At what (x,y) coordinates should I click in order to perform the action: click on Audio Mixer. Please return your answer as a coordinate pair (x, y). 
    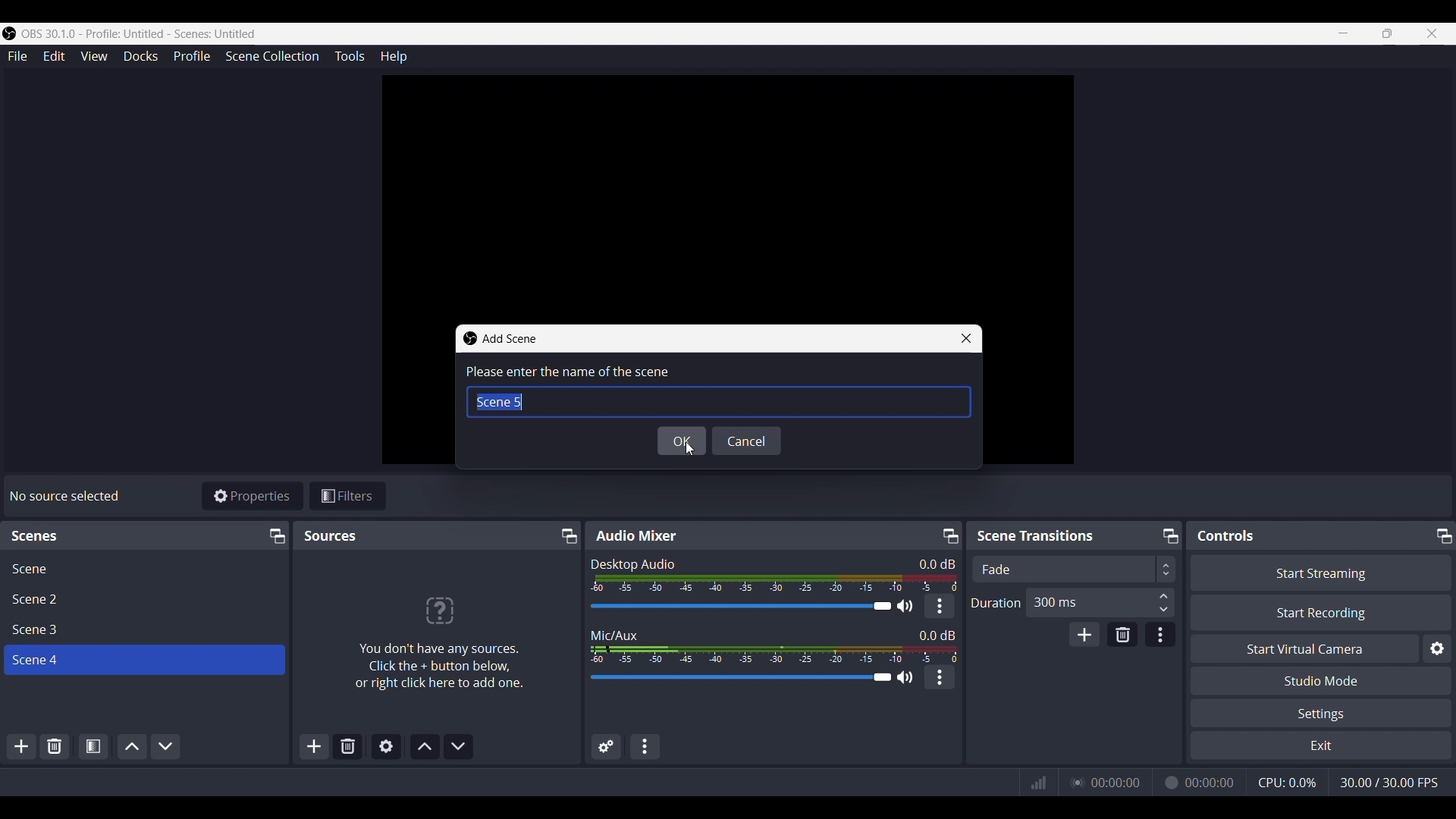
    Looking at the image, I should click on (637, 536).